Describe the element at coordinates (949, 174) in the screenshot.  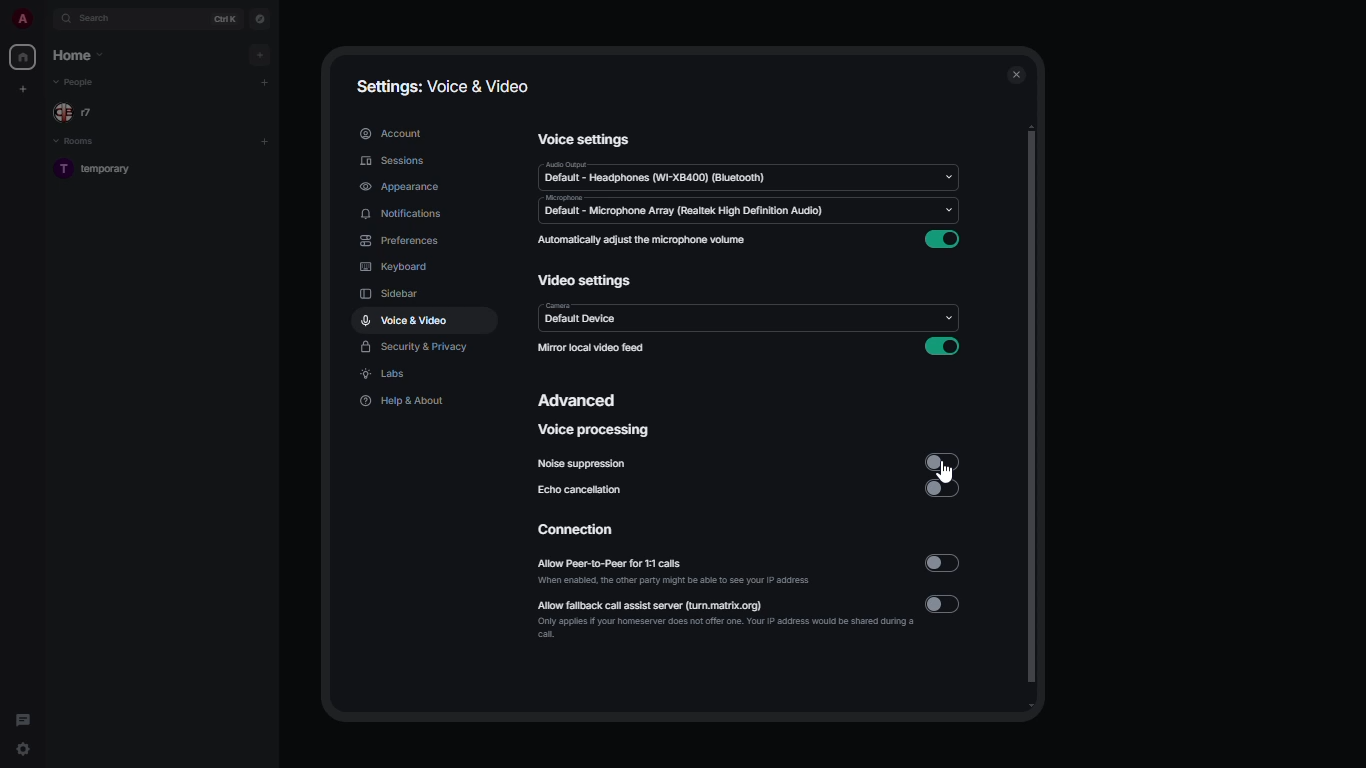
I see `drop down` at that location.